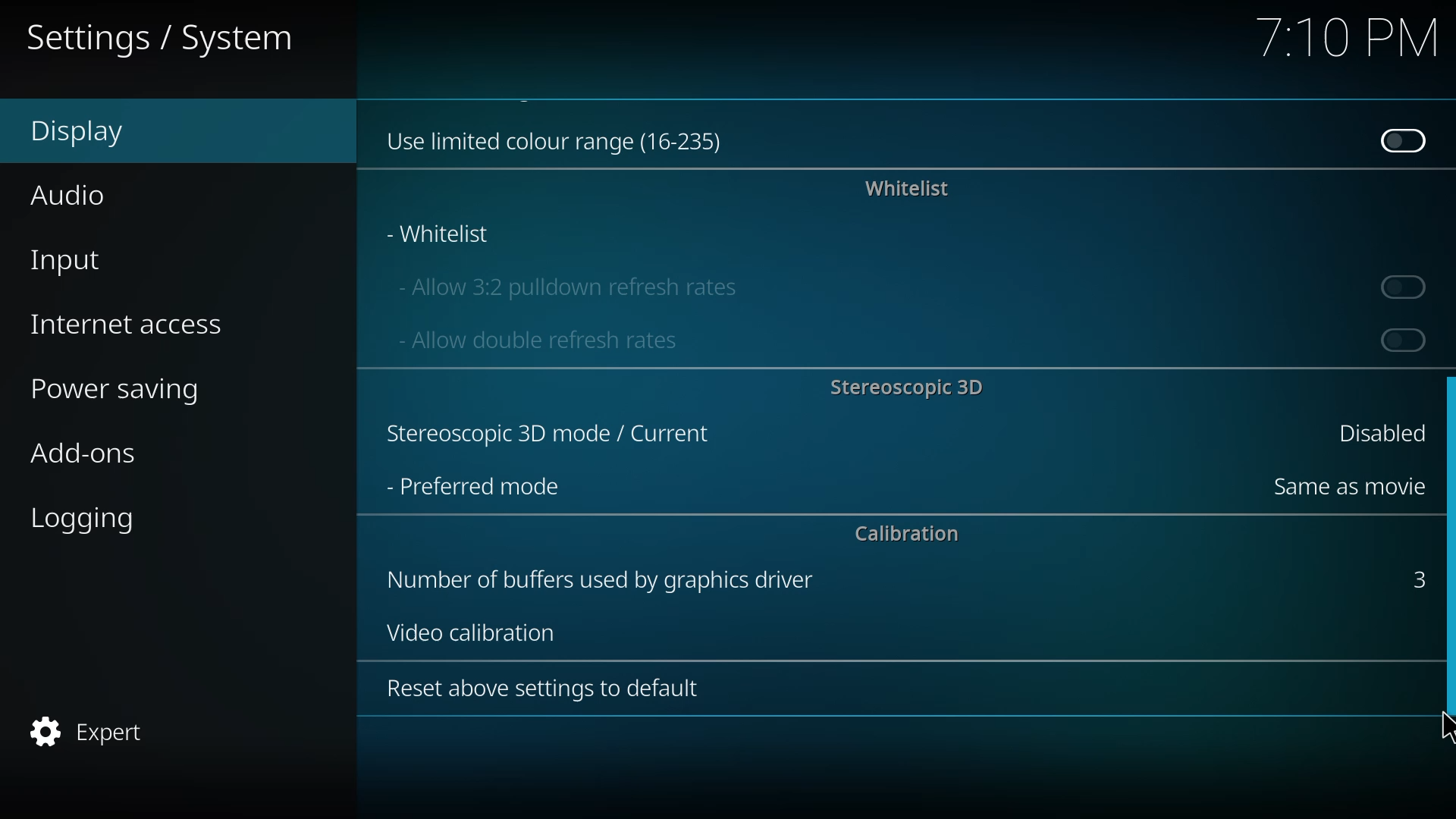  What do you see at coordinates (1458, 549) in the screenshot?
I see `dragged here` at bounding box center [1458, 549].